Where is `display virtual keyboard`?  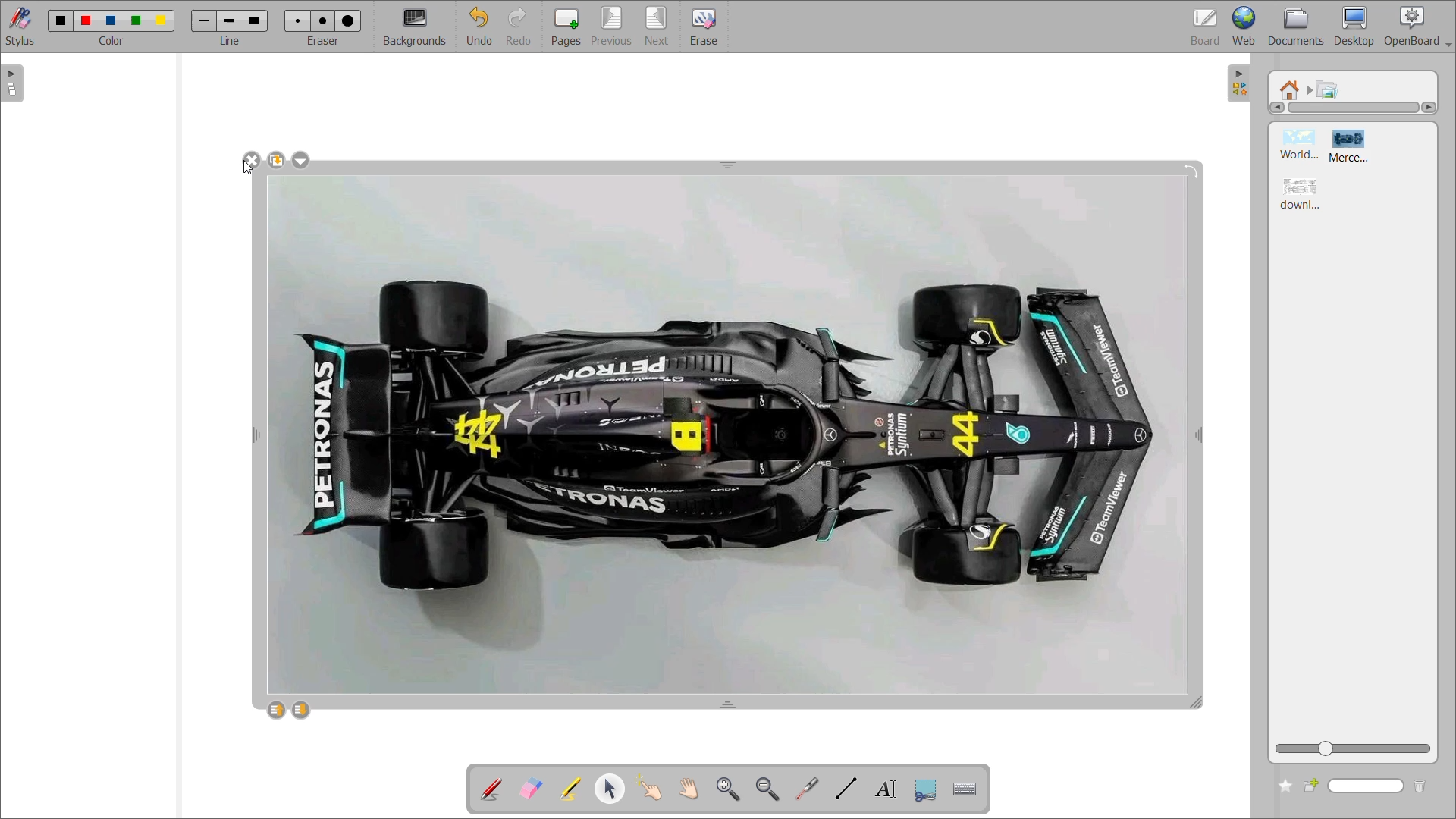 display virtual keyboard is located at coordinates (967, 788).